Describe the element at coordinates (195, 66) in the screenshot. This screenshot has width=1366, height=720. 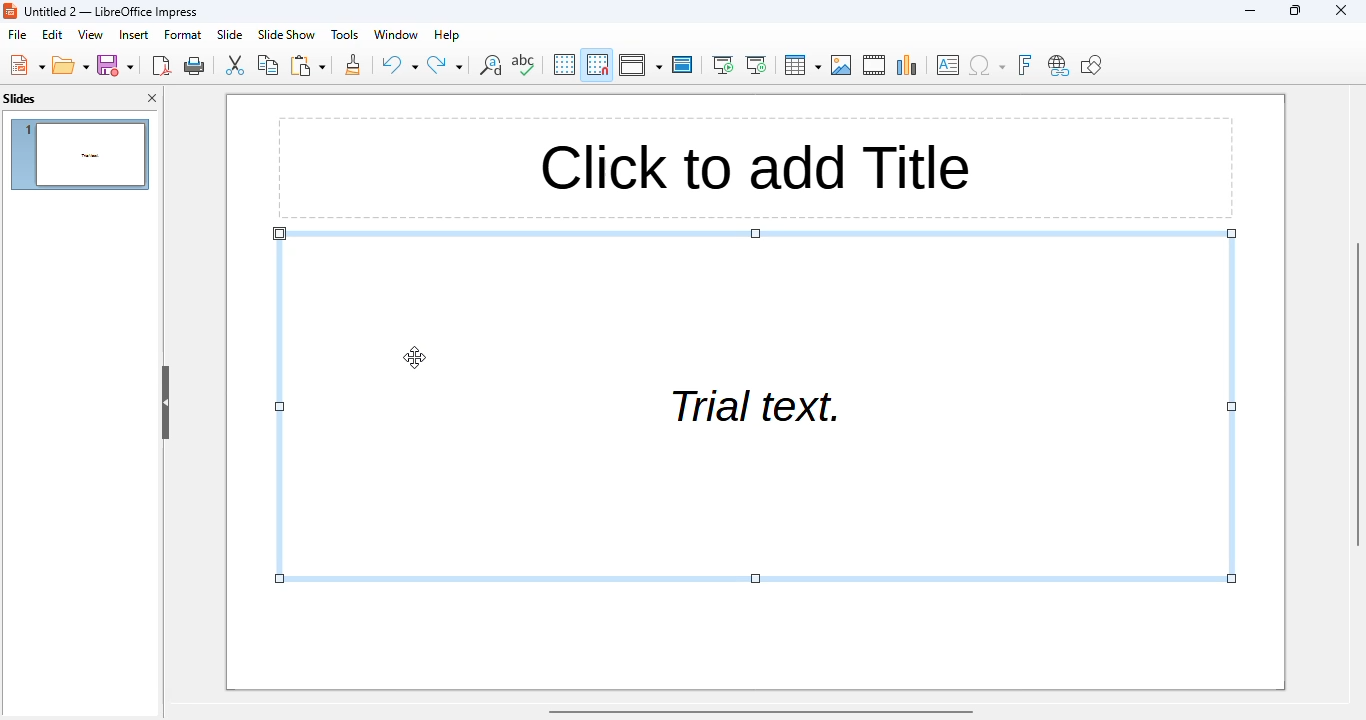
I see `print` at that location.